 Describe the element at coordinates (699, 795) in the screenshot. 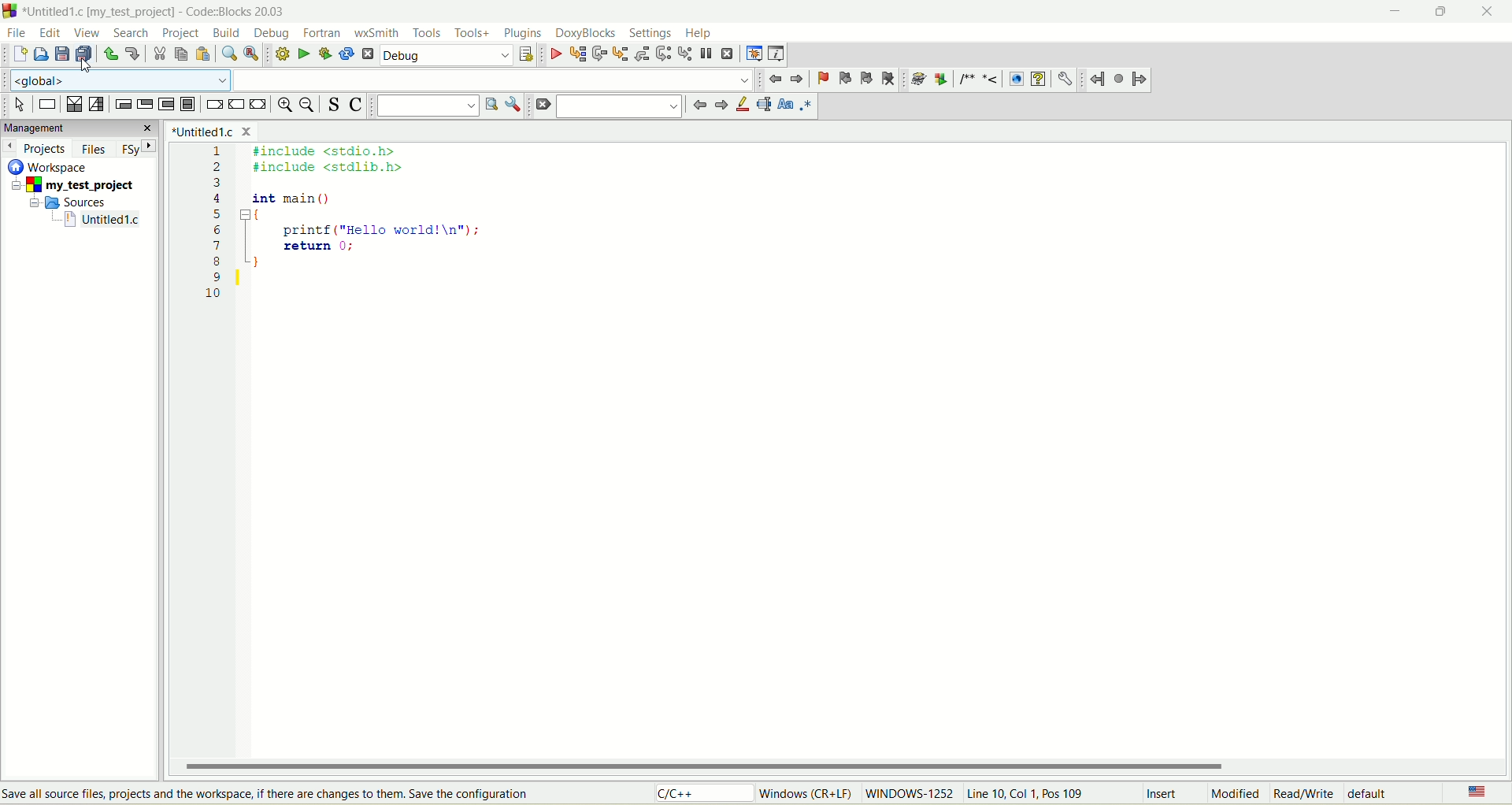

I see `C/C++` at that location.